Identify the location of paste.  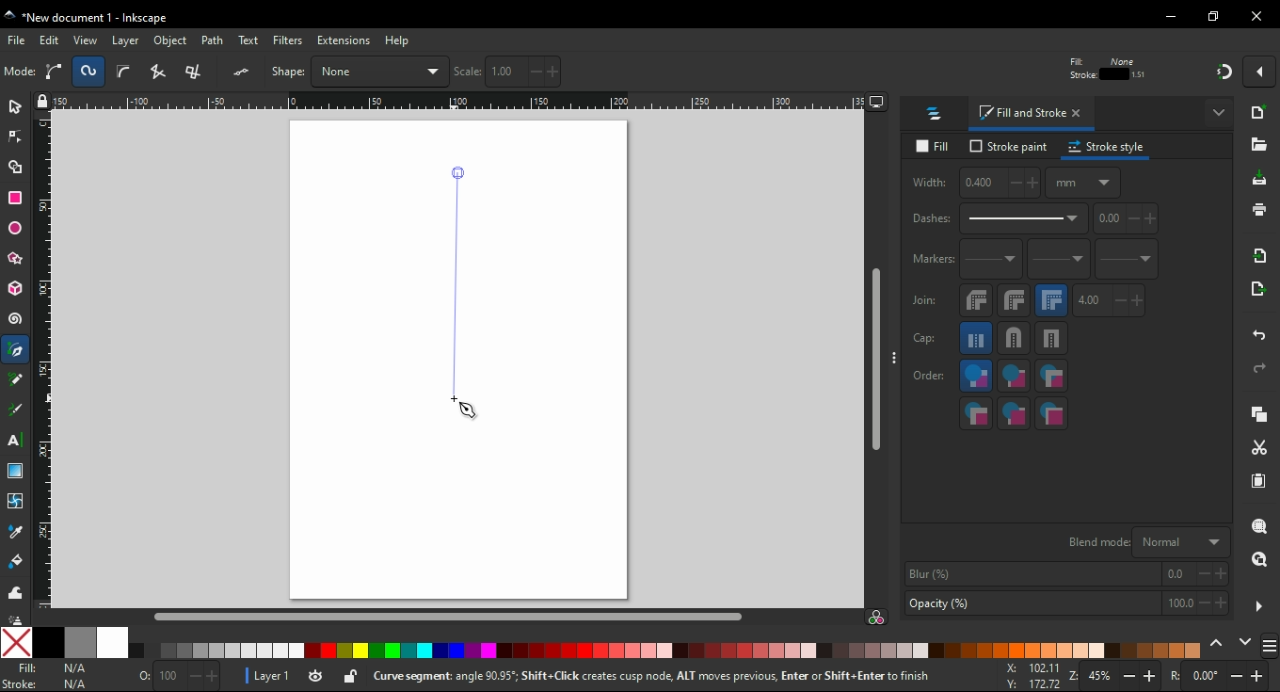
(1258, 481).